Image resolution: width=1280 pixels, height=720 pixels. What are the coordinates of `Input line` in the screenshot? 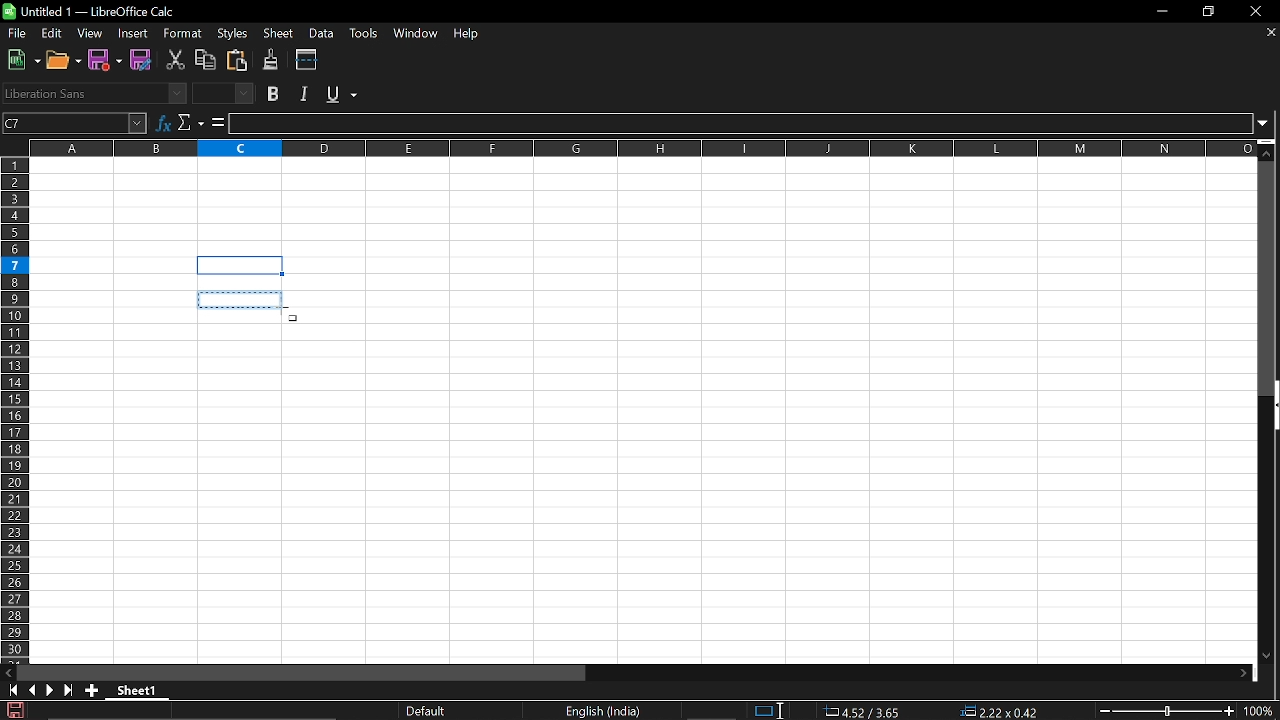 It's located at (741, 124).